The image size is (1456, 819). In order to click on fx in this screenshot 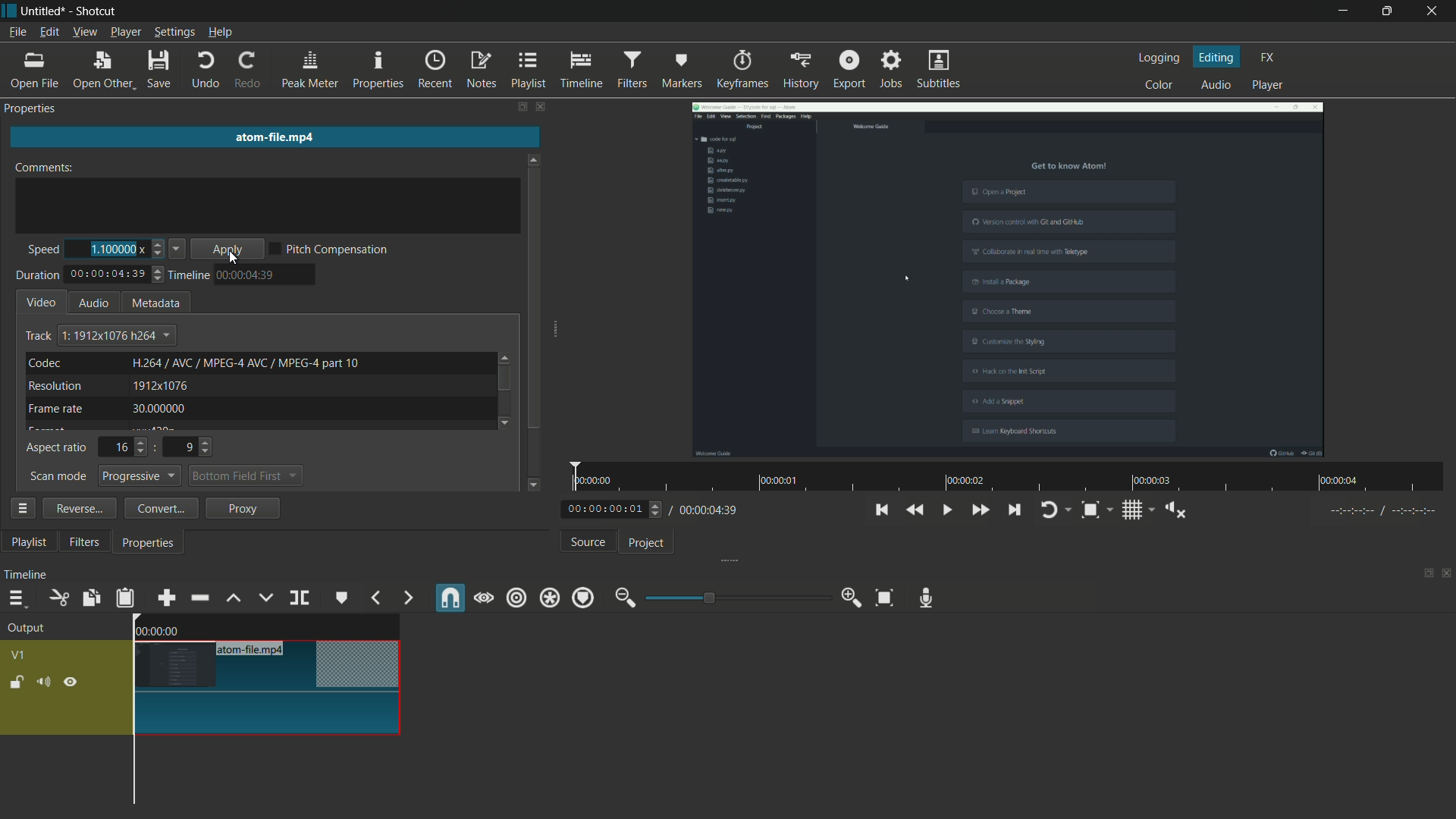, I will do `click(1268, 58)`.